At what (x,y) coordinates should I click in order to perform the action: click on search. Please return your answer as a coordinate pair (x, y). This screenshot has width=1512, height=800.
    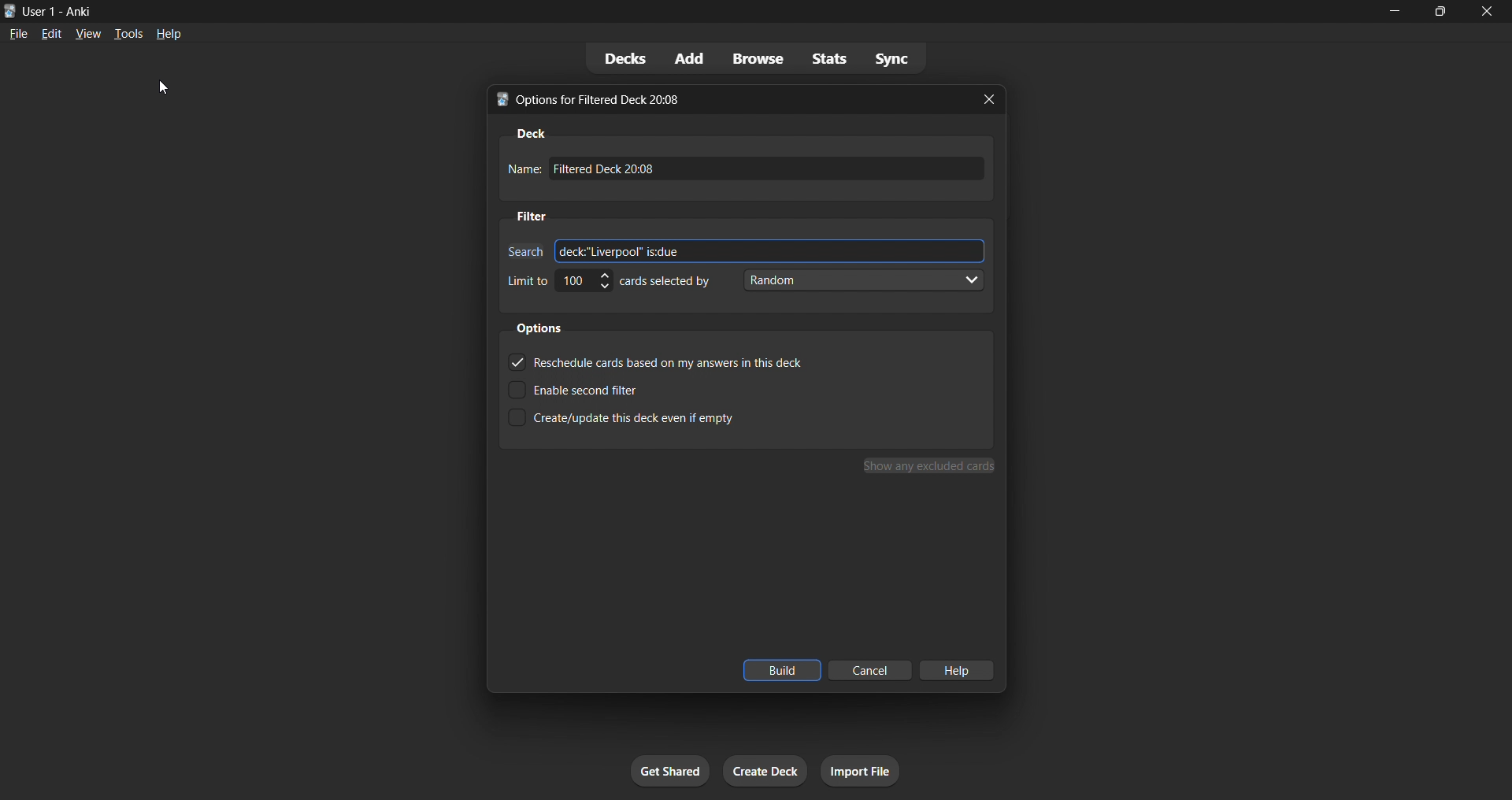
    Looking at the image, I should click on (522, 251).